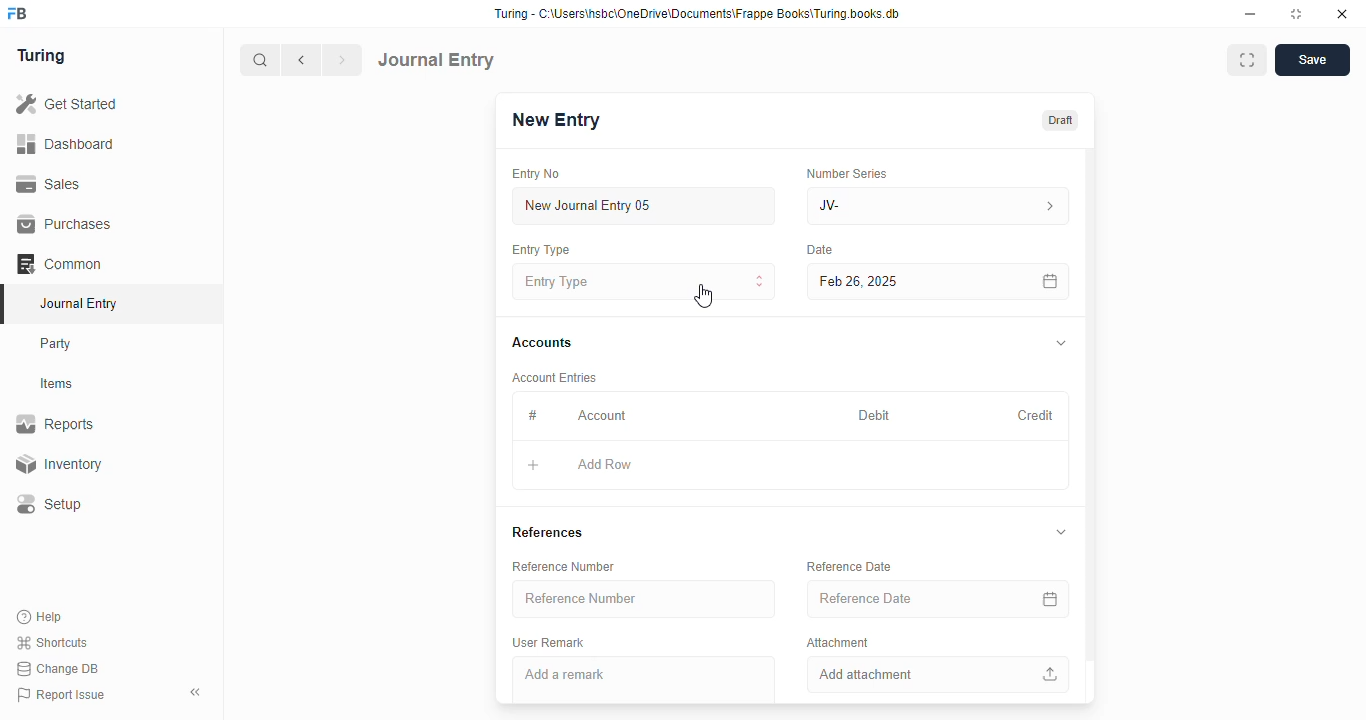 The width and height of the screenshot is (1366, 720). I want to click on #, so click(533, 415).